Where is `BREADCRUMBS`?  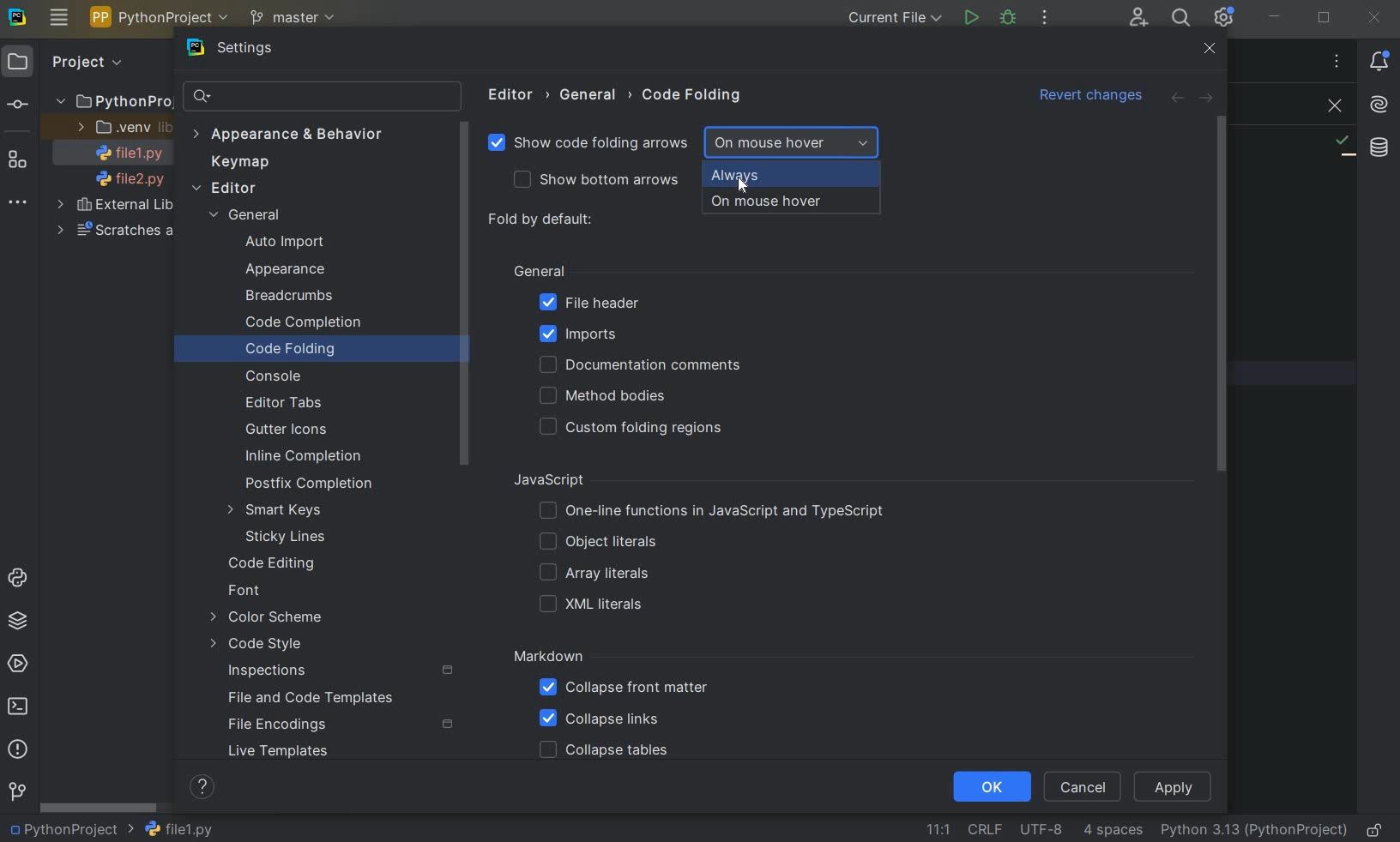
BREADCRUMBS is located at coordinates (306, 297).